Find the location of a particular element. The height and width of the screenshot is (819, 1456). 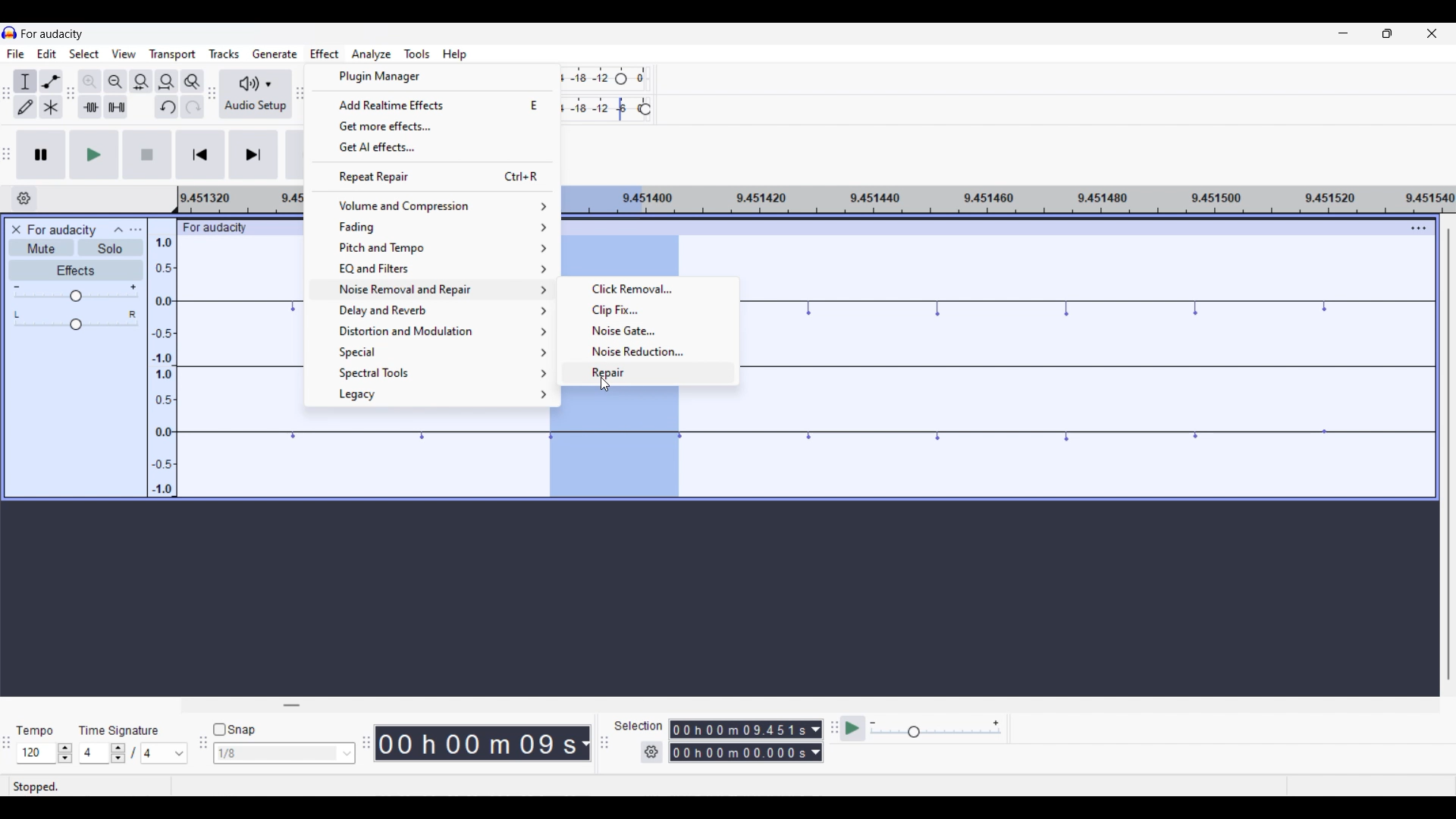

Noise reduction is located at coordinates (646, 351).